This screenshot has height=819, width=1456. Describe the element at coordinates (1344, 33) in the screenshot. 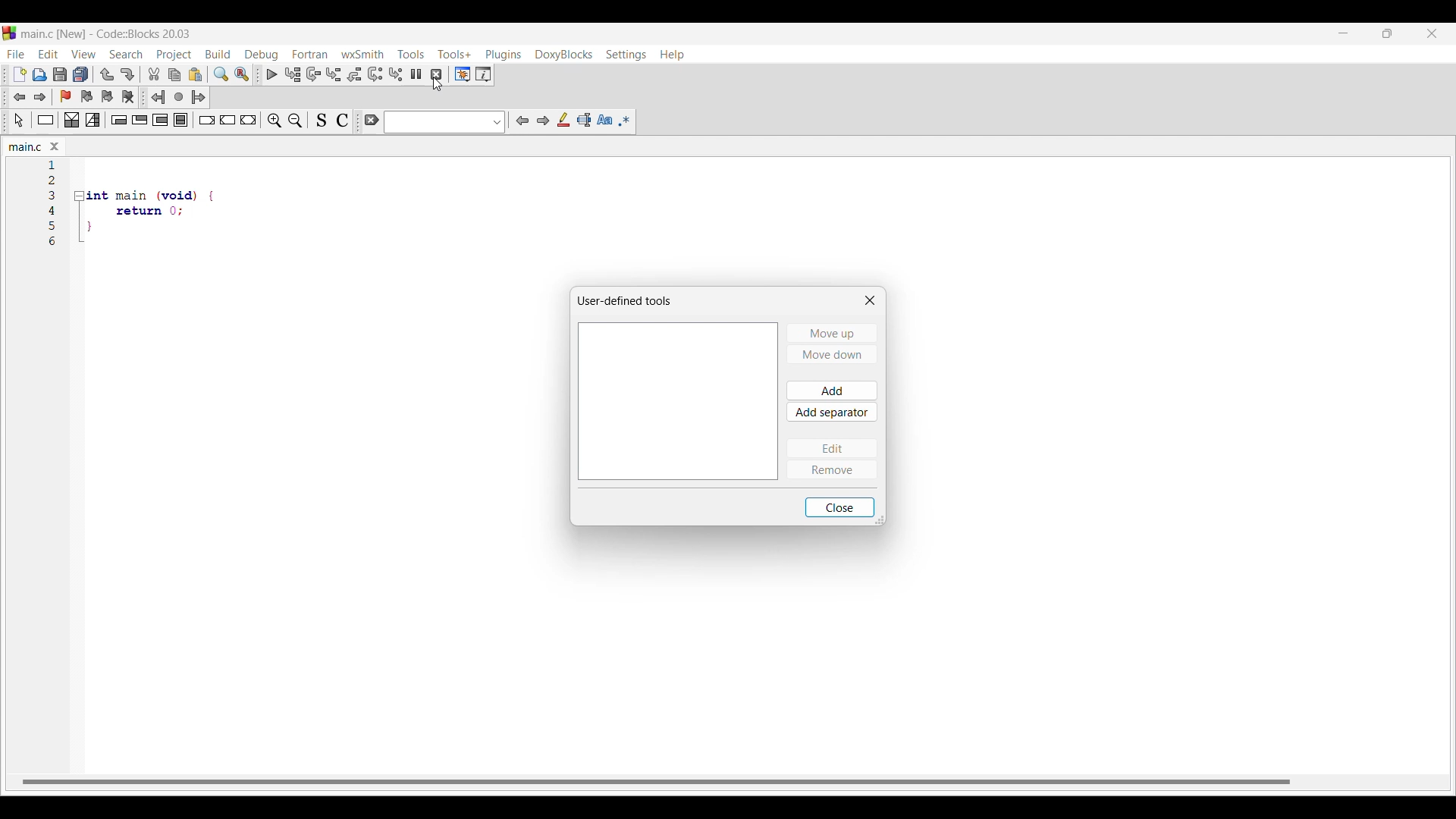

I see `Minimize` at that location.